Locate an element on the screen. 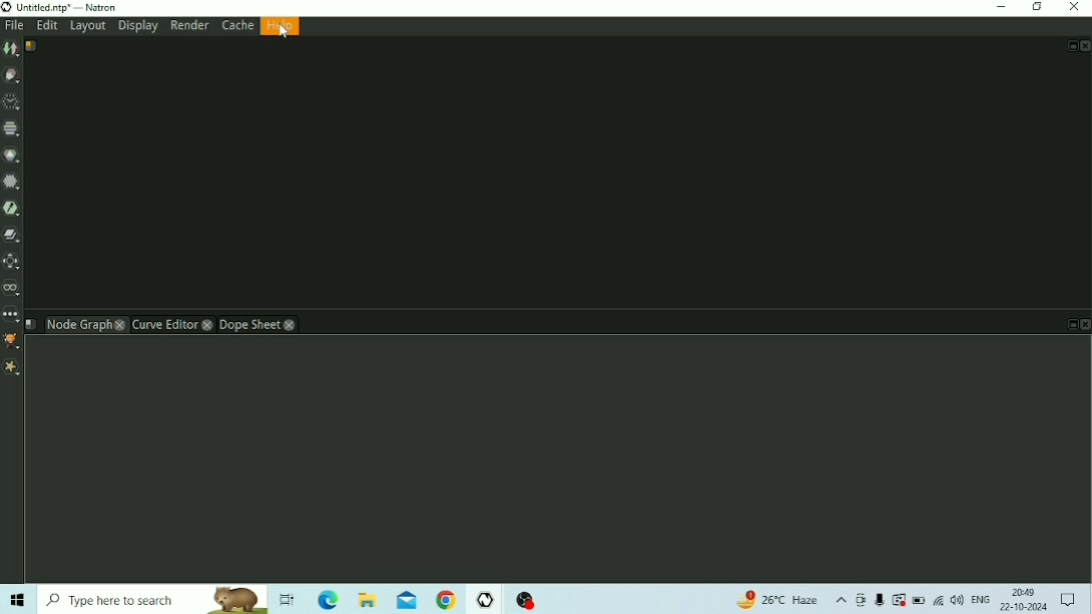  Date is located at coordinates (1024, 607).